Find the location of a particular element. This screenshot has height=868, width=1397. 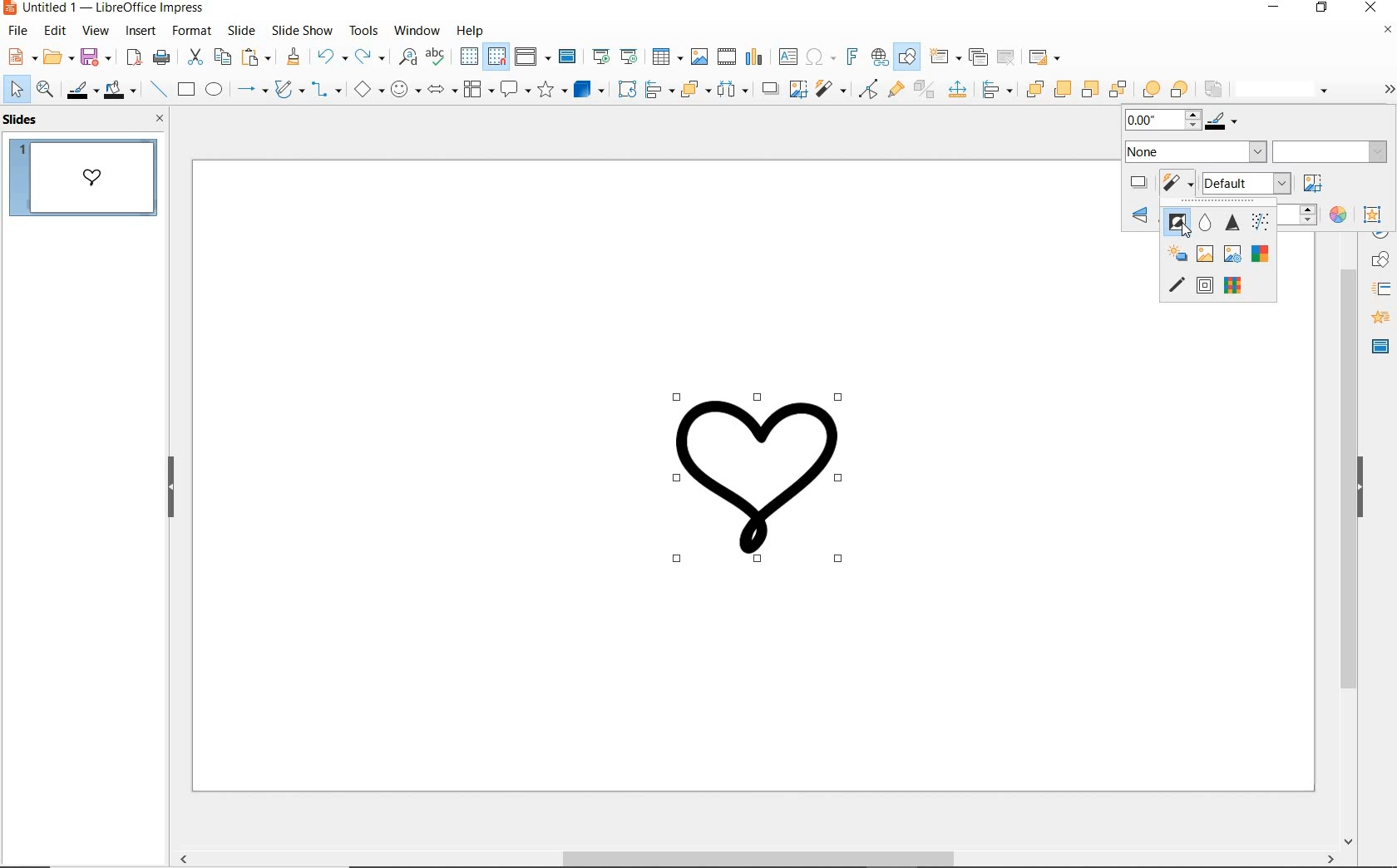

Pop Art is located at coordinates (1258, 254).